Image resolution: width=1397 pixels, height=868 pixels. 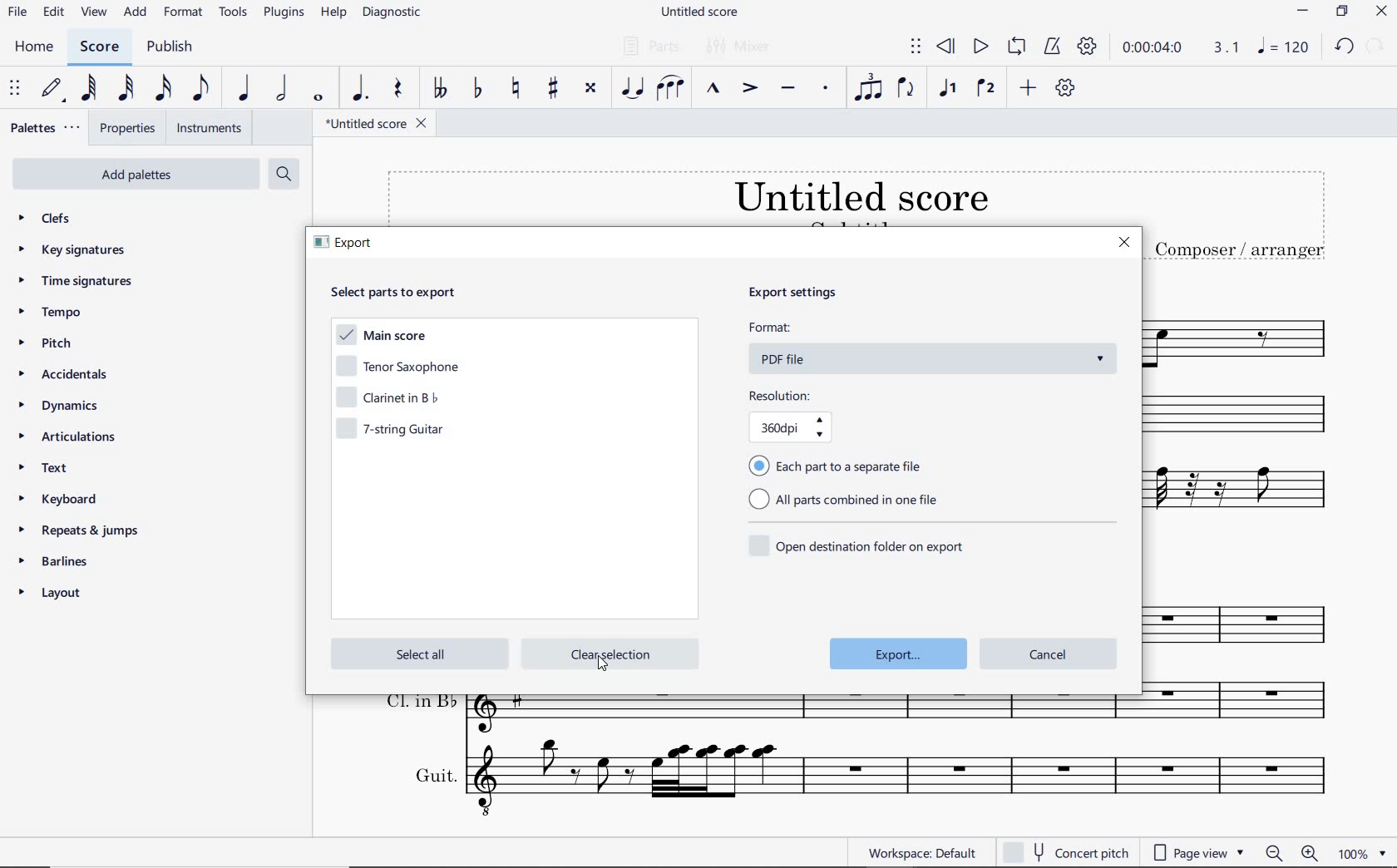 I want to click on TOGGLE DOUBLE-FLAT, so click(x=440, y=89).